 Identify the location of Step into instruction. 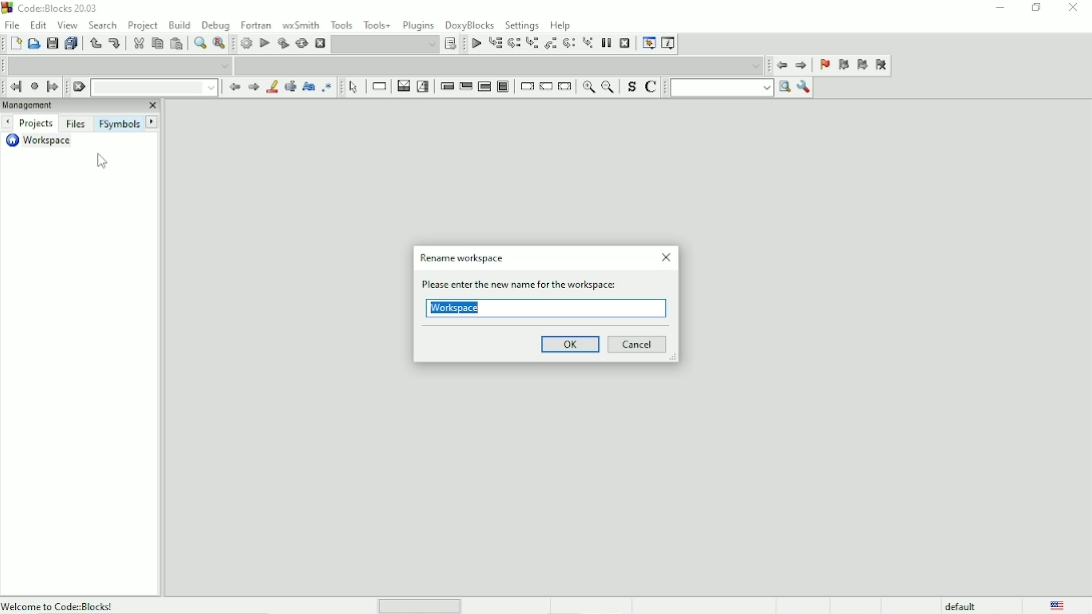
(588, 44).